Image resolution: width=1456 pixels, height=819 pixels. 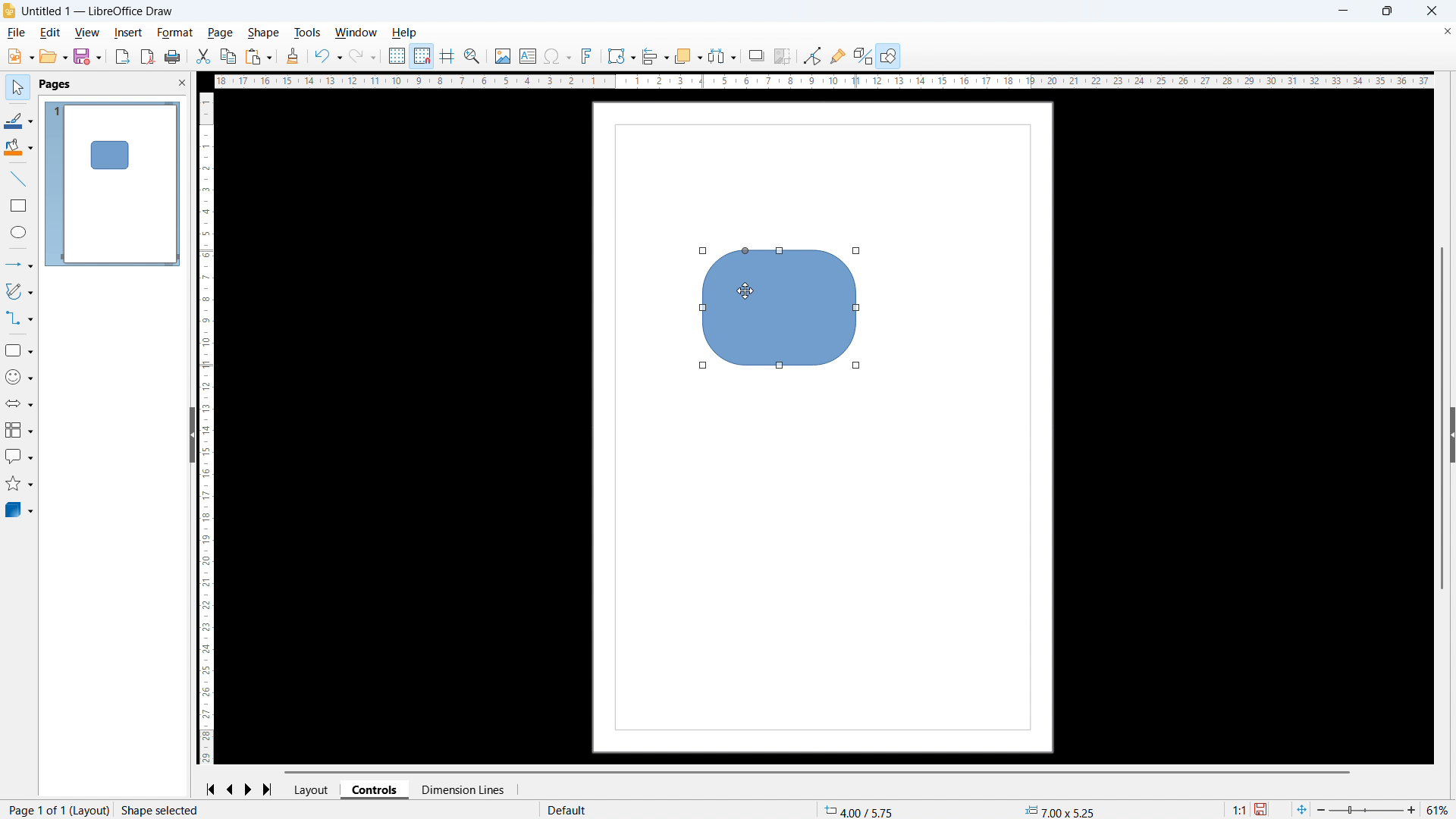 I want to click on close , so click(x=1431, y=11).